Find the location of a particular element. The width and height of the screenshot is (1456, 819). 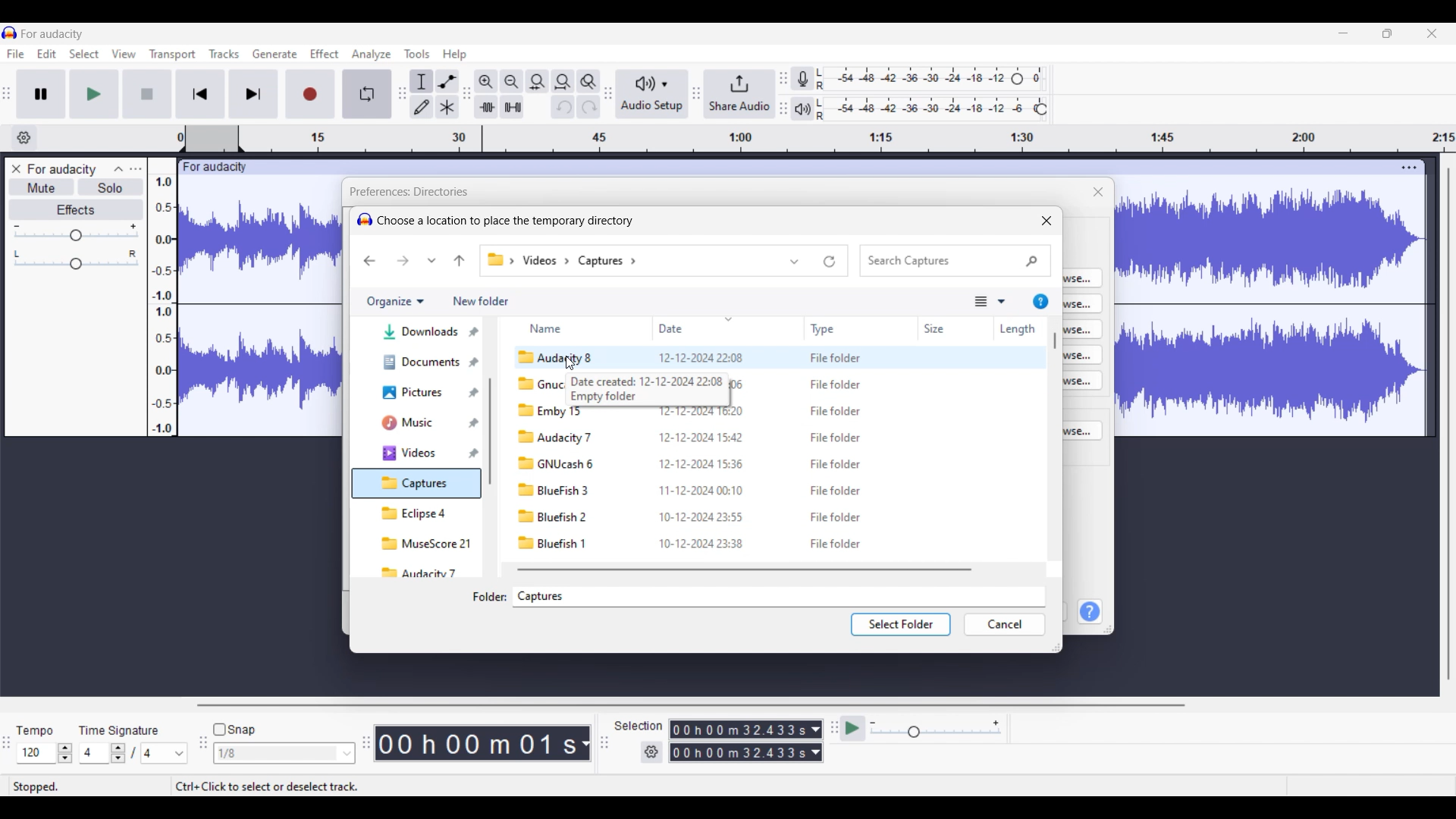

Length column is located at coordinates (1018, 329).